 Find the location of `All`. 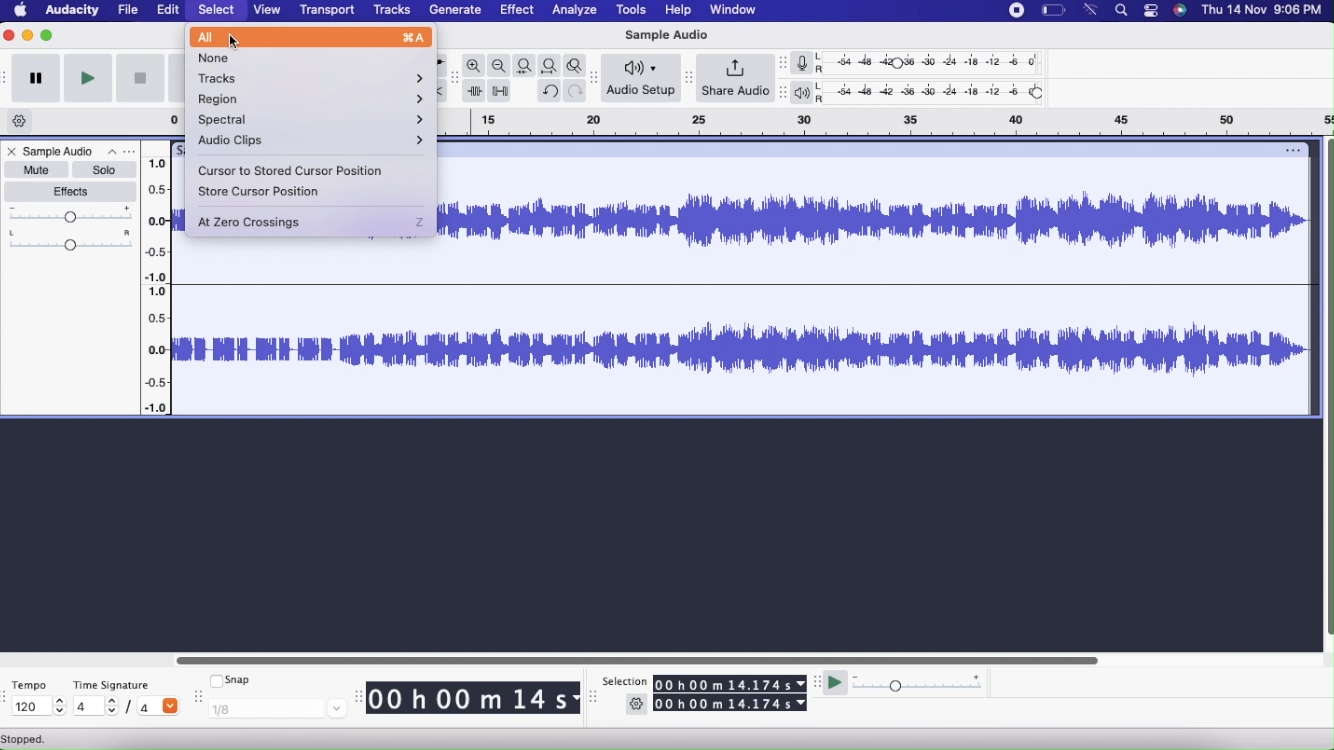

All is located at coordinates (310, 38).